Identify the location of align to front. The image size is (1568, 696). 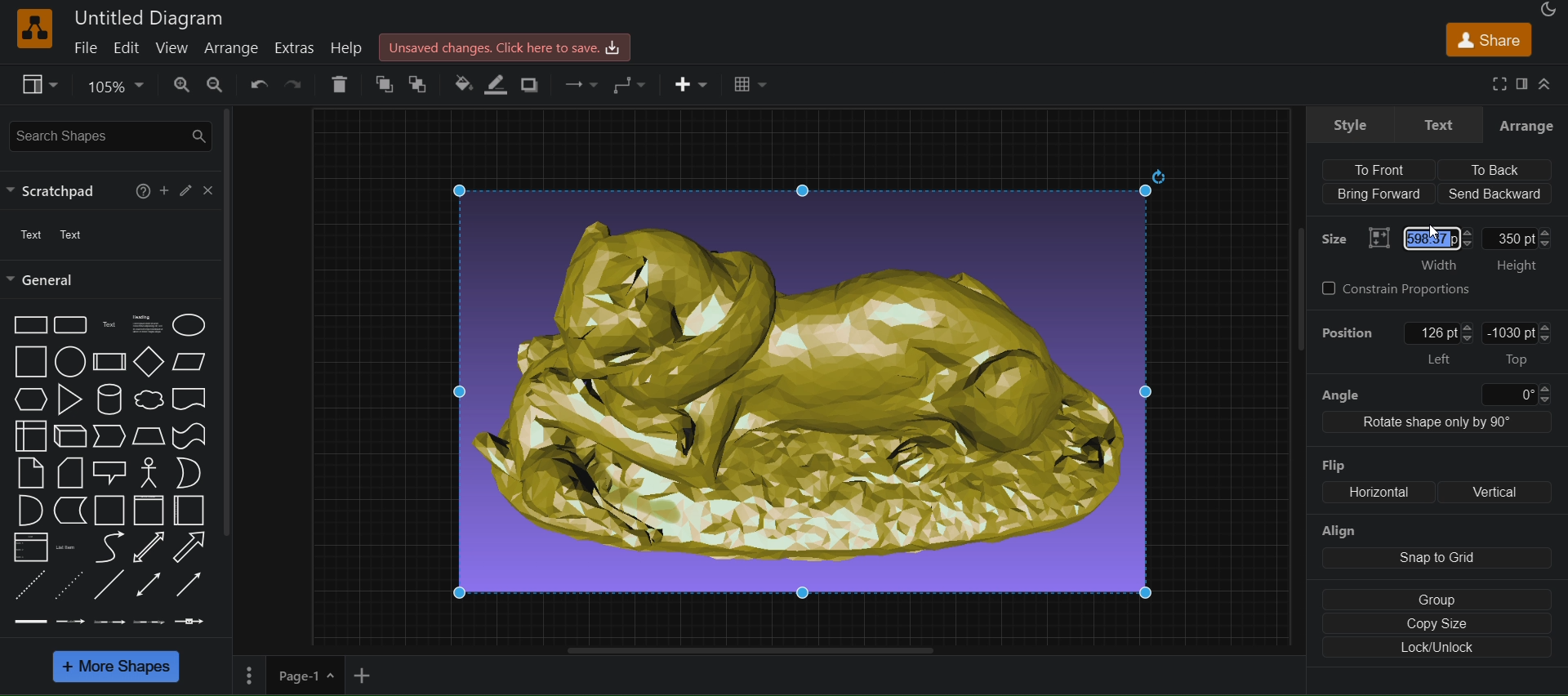
(1388, 168).